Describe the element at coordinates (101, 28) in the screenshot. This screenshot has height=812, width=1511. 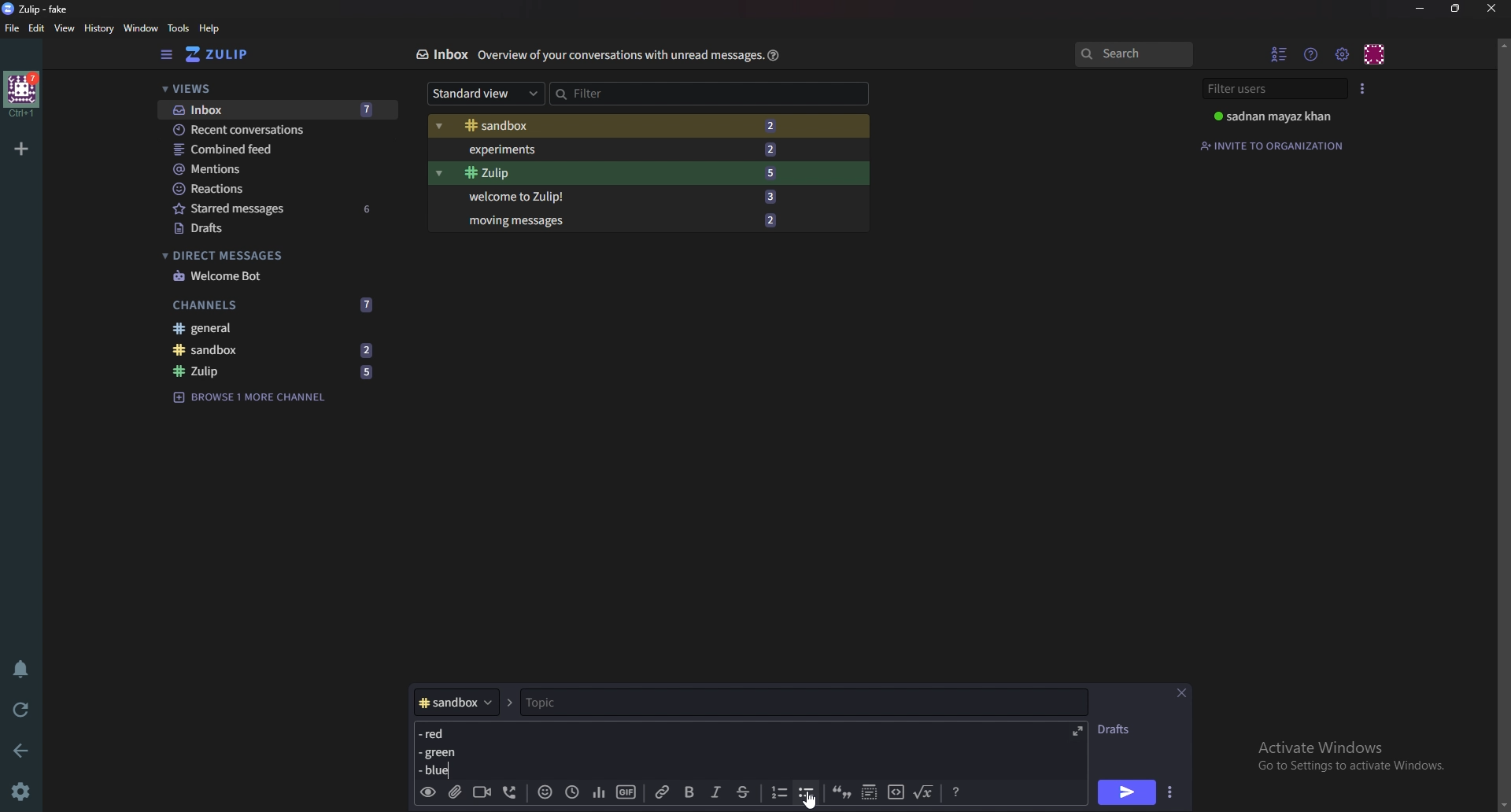
I see `History` at that location.